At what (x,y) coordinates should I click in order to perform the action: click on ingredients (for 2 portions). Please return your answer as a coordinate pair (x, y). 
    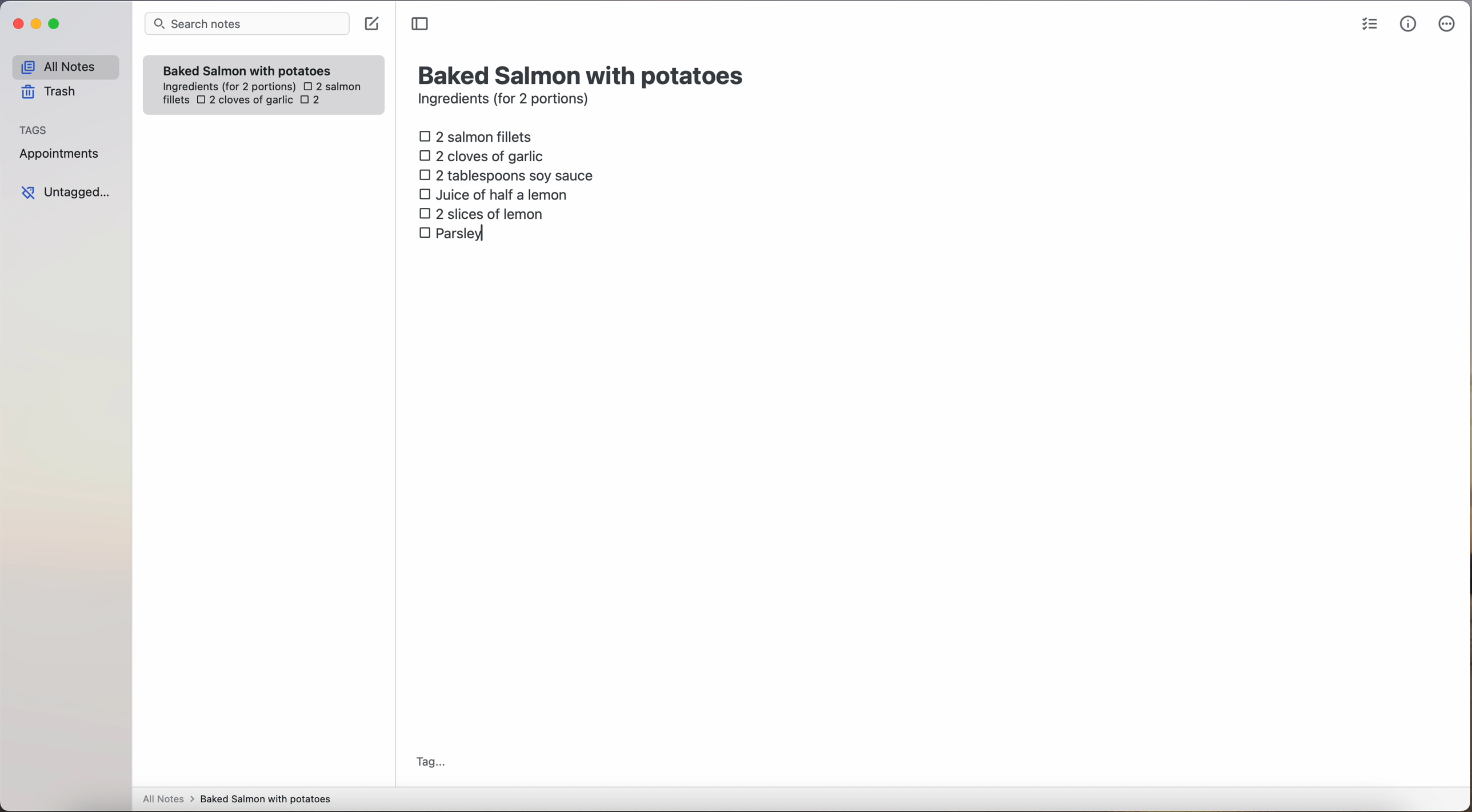
    Looking at the image, I should click on (507, 101).